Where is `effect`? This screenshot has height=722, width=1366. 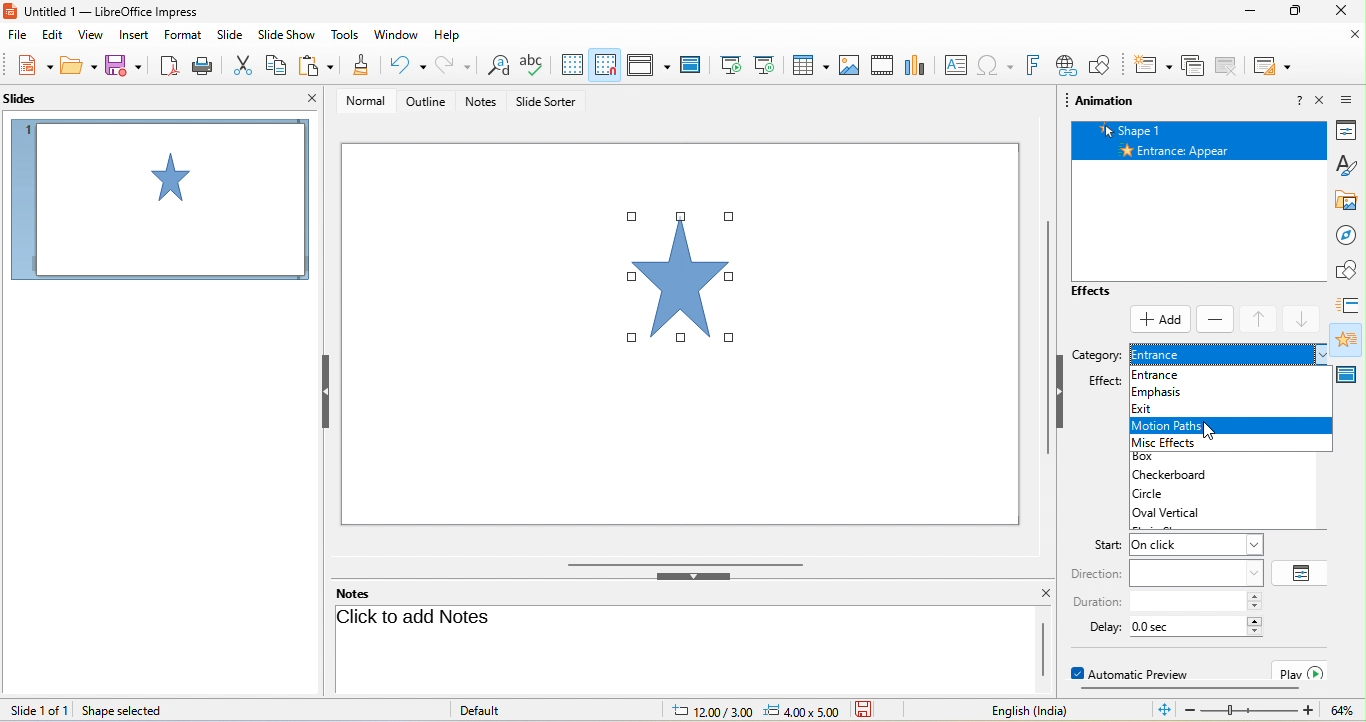
effect is located at coordinates (1101, 382).